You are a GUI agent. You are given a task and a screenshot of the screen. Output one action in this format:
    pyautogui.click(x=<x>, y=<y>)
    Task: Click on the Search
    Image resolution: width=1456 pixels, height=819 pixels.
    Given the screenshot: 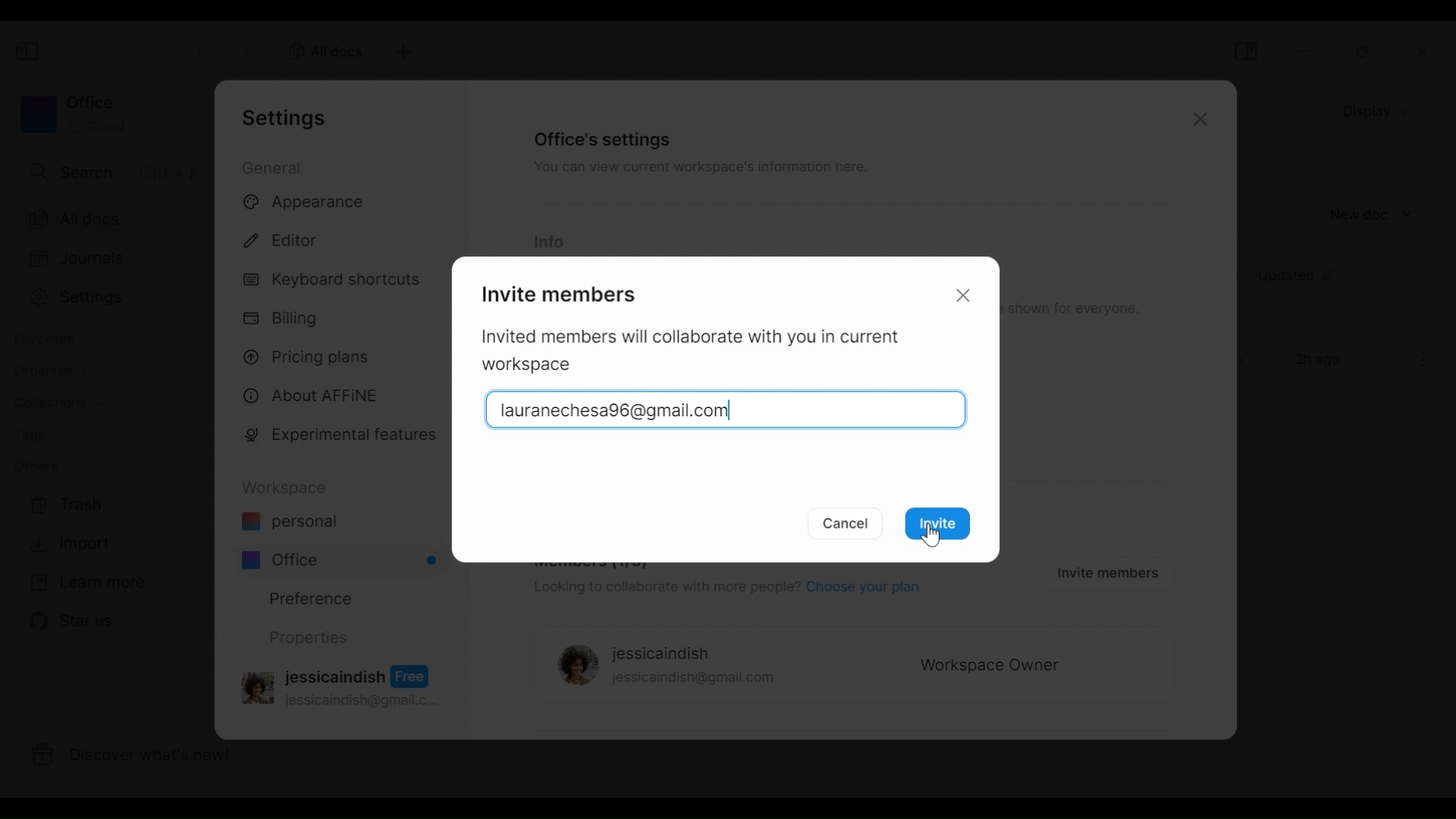 What is the action you would take?
    pyautogui.click(x=111, y=171)
    